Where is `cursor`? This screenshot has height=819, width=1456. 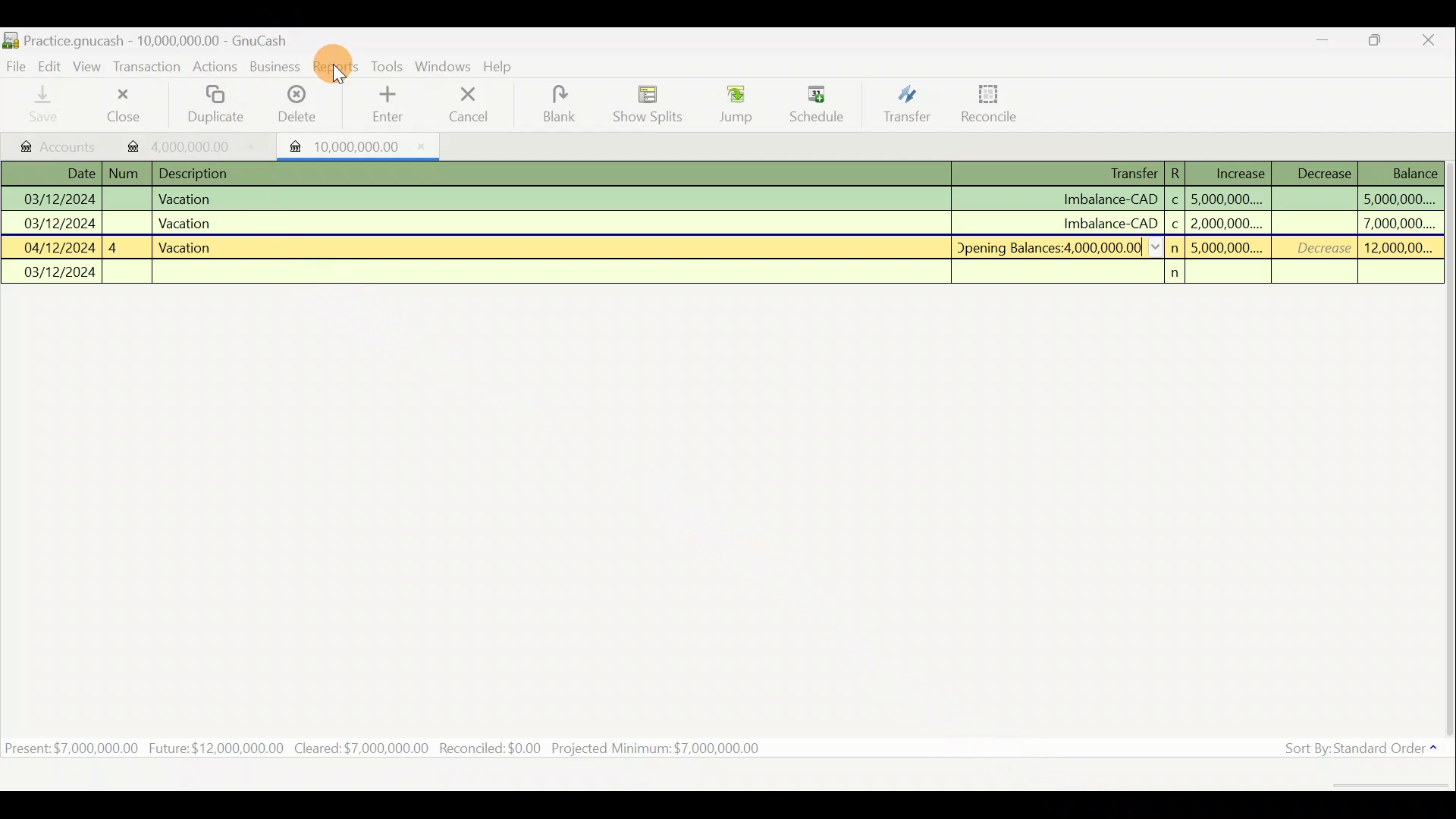 cursor is located at coordinates (337, 76).